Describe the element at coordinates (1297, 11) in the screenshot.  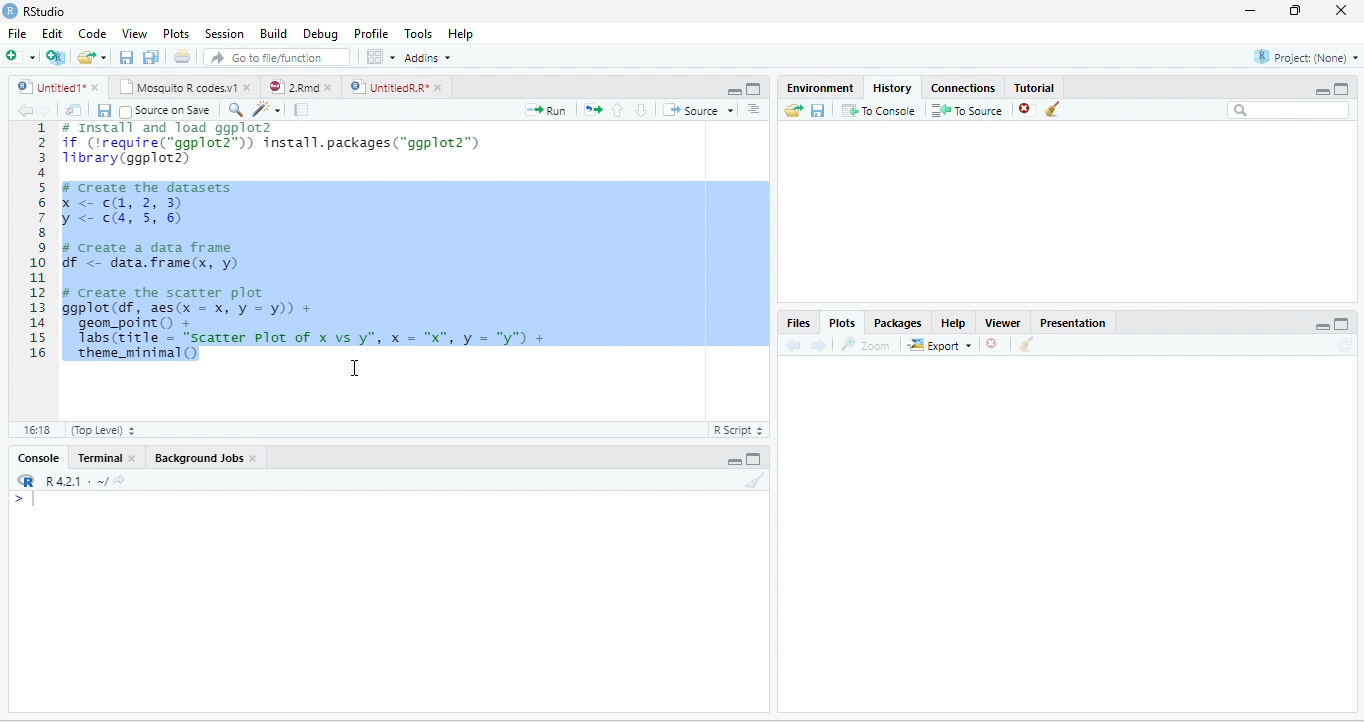
I see `restore` at that location.